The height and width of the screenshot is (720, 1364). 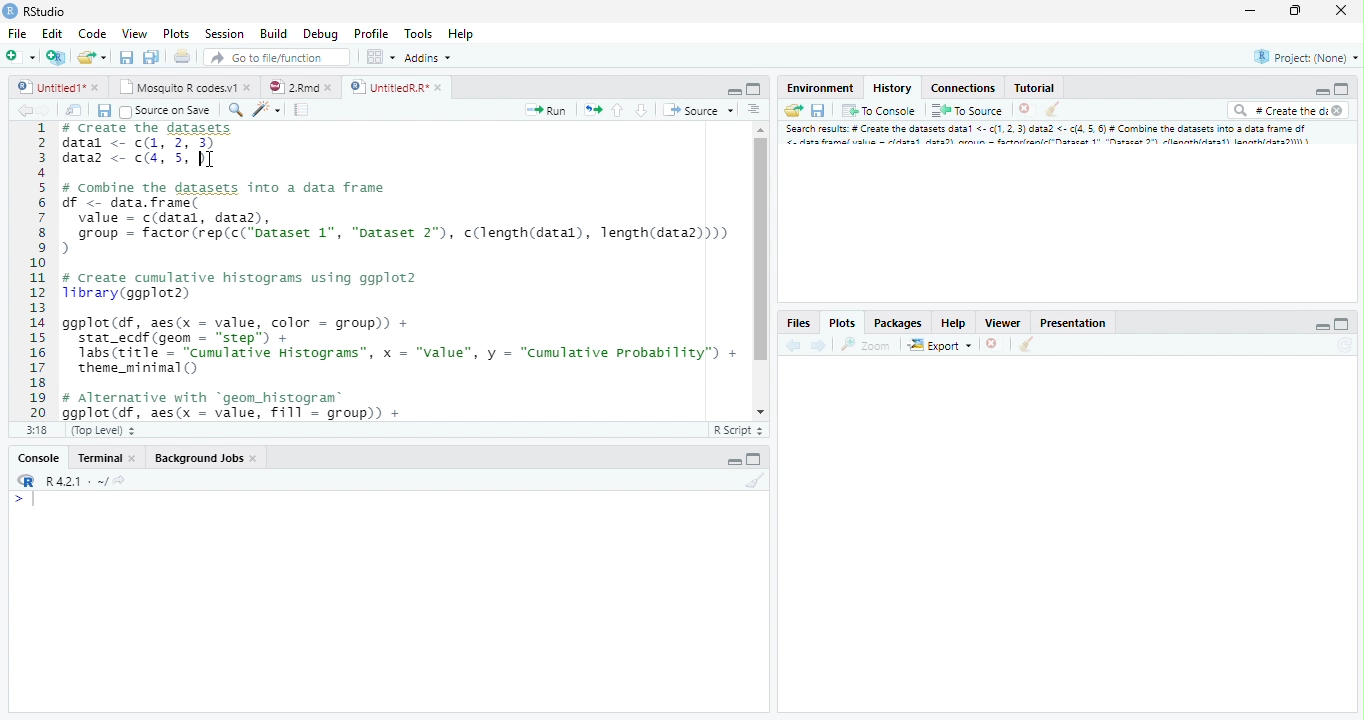 I want to click on Terminal, so click(x=107, y=457).